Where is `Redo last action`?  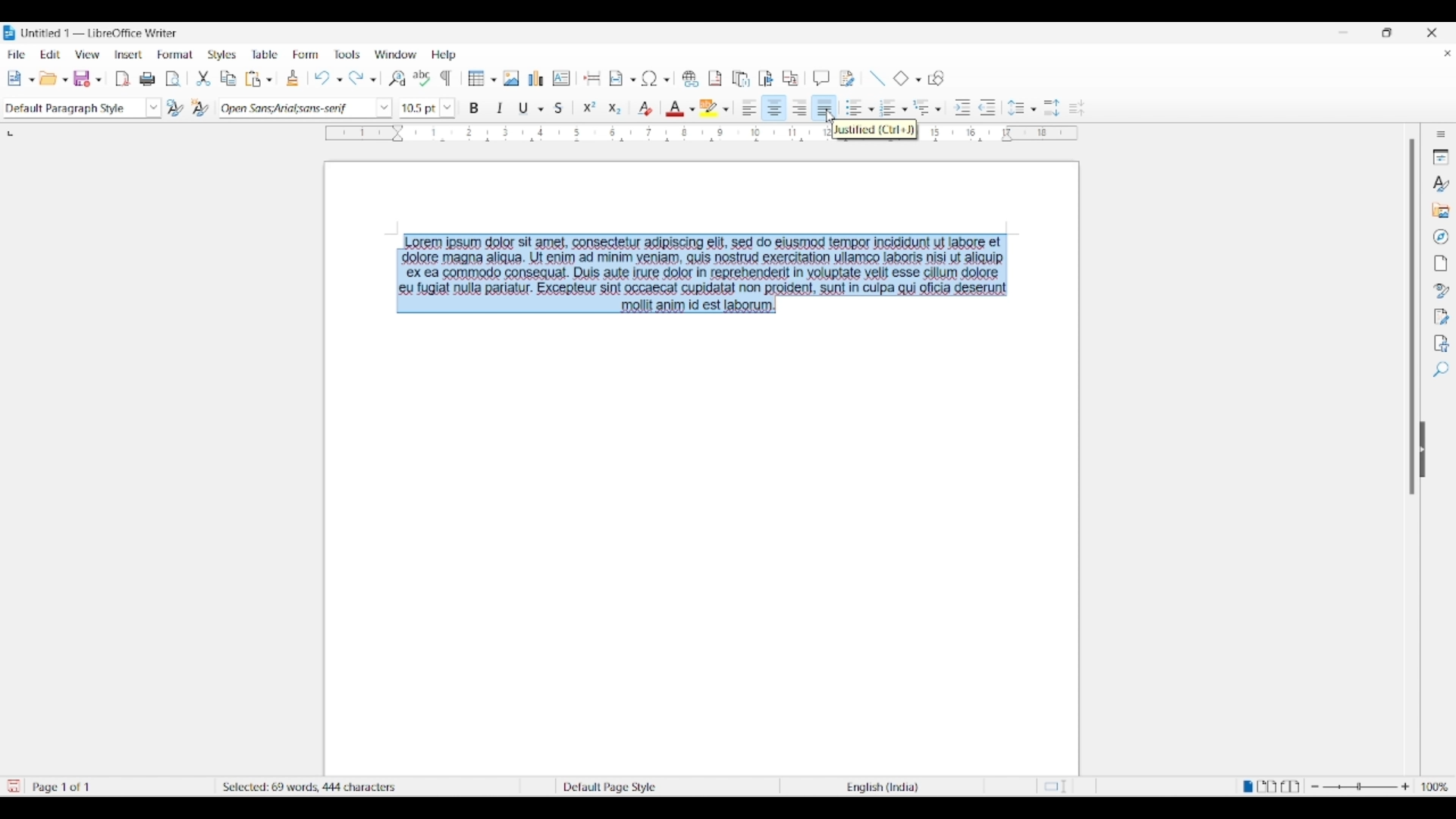 Redo last action is located at coordinates (356, 78).